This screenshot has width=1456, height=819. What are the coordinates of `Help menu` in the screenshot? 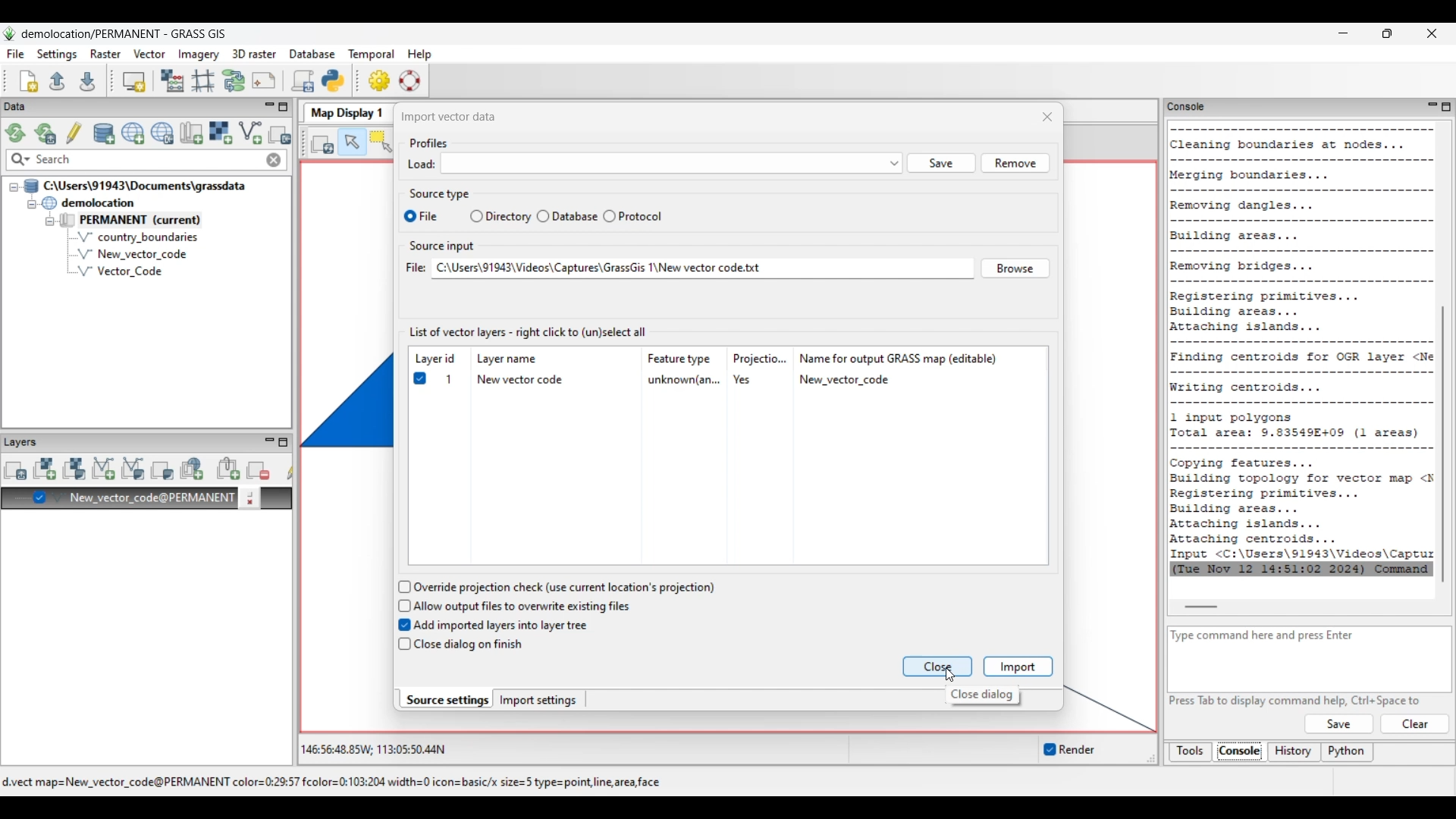 It's located at (419, 54).